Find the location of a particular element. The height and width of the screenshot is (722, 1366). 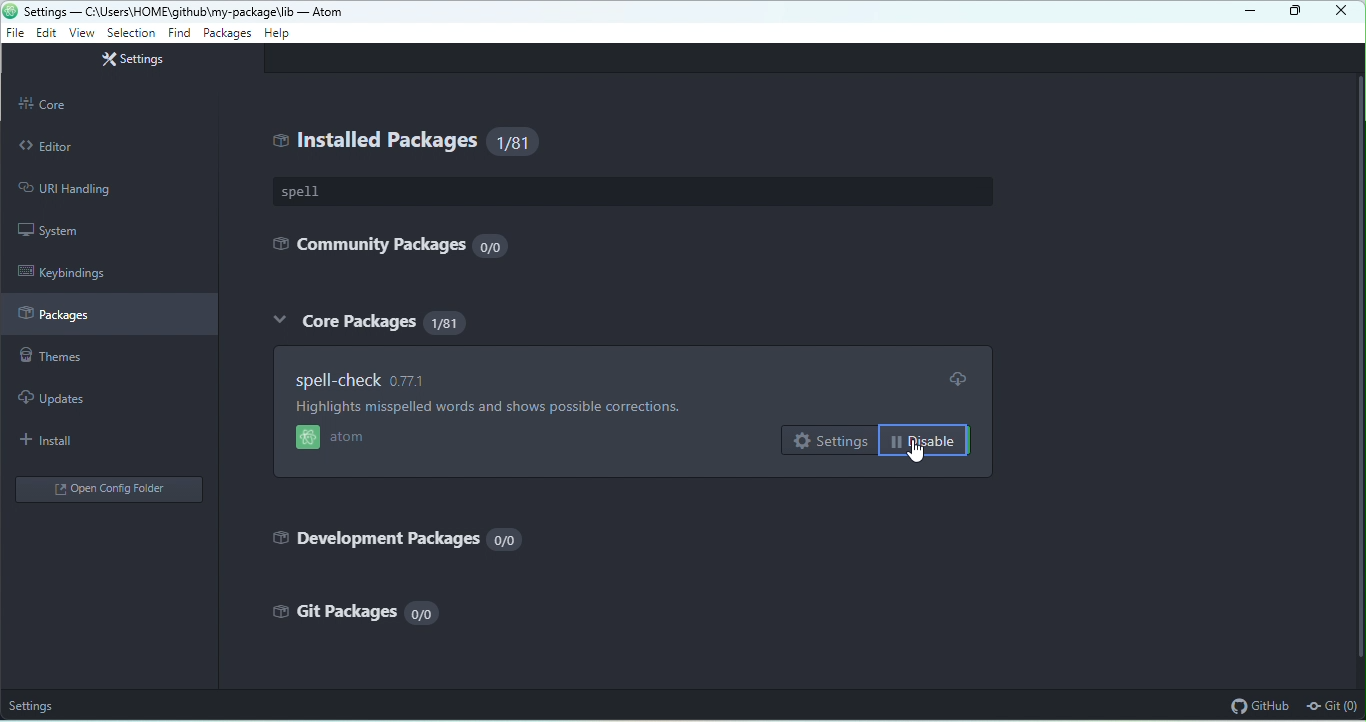

installed packages is located at coordinates (372, 140).